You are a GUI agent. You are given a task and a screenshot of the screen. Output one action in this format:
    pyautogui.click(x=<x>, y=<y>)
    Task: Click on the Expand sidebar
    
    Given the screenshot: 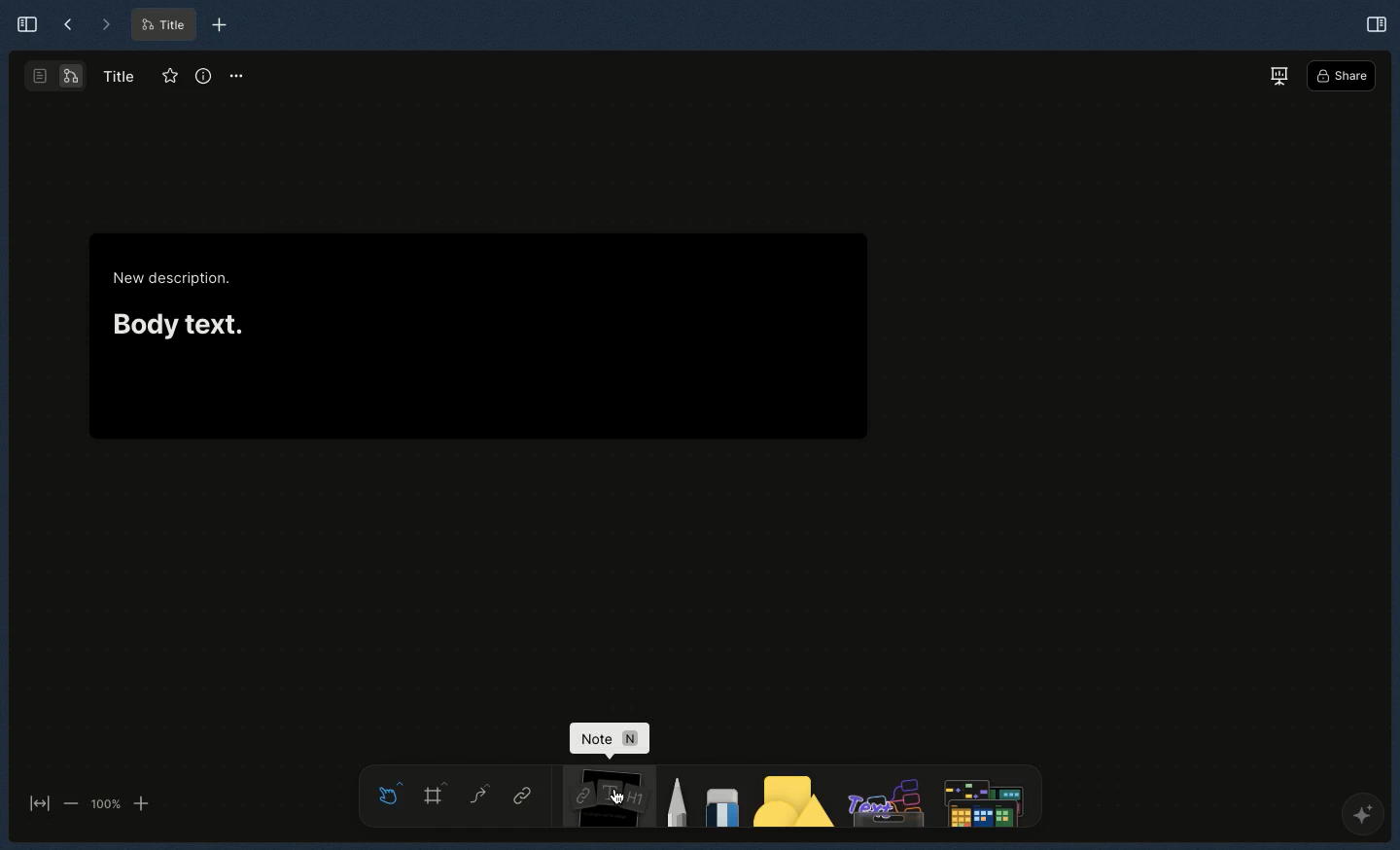 What is the action you would take?
    pyautogui.click(x=21, y=23)
    